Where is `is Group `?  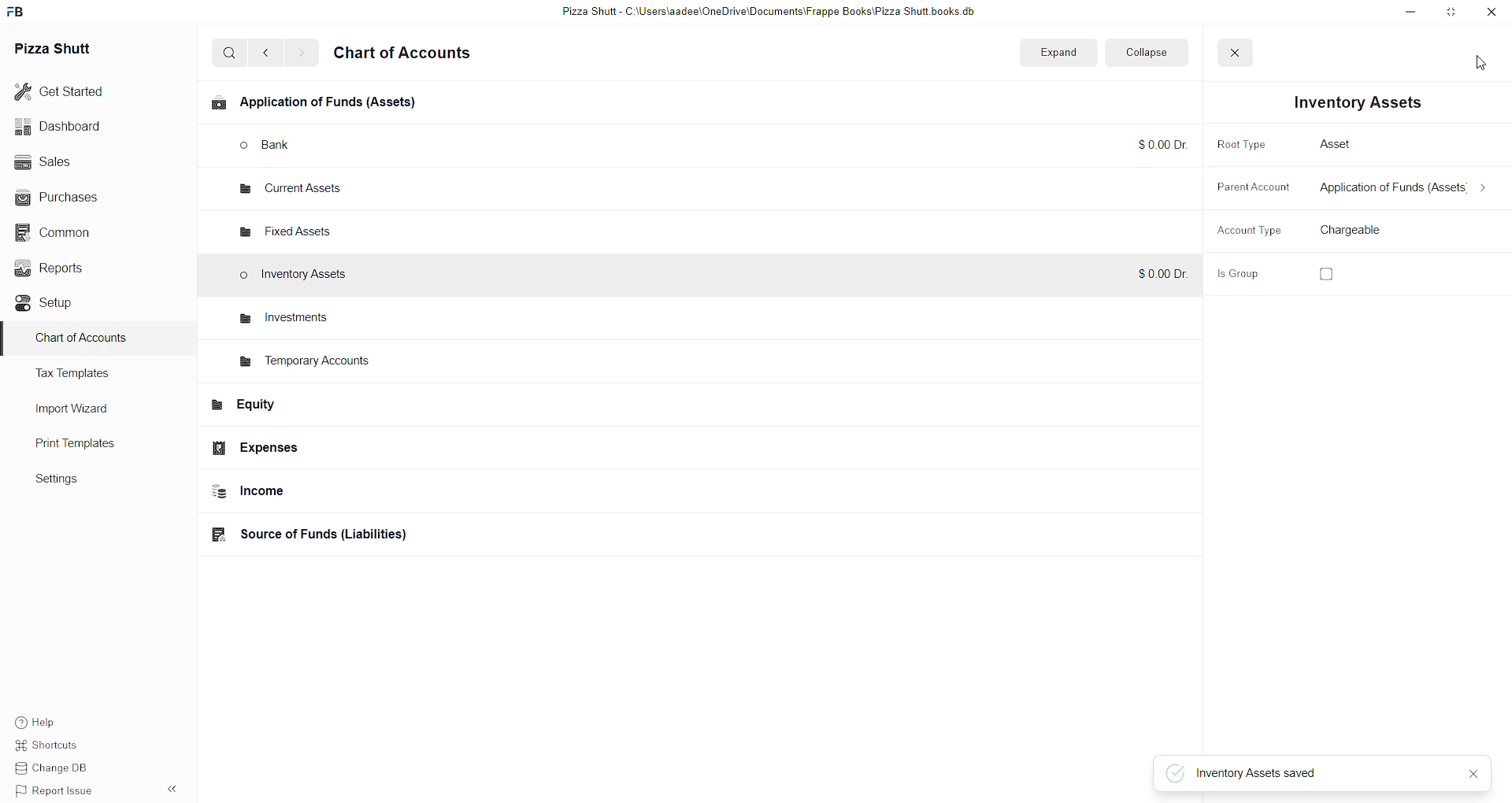
is Group  is located at coordinates (1243, 276).